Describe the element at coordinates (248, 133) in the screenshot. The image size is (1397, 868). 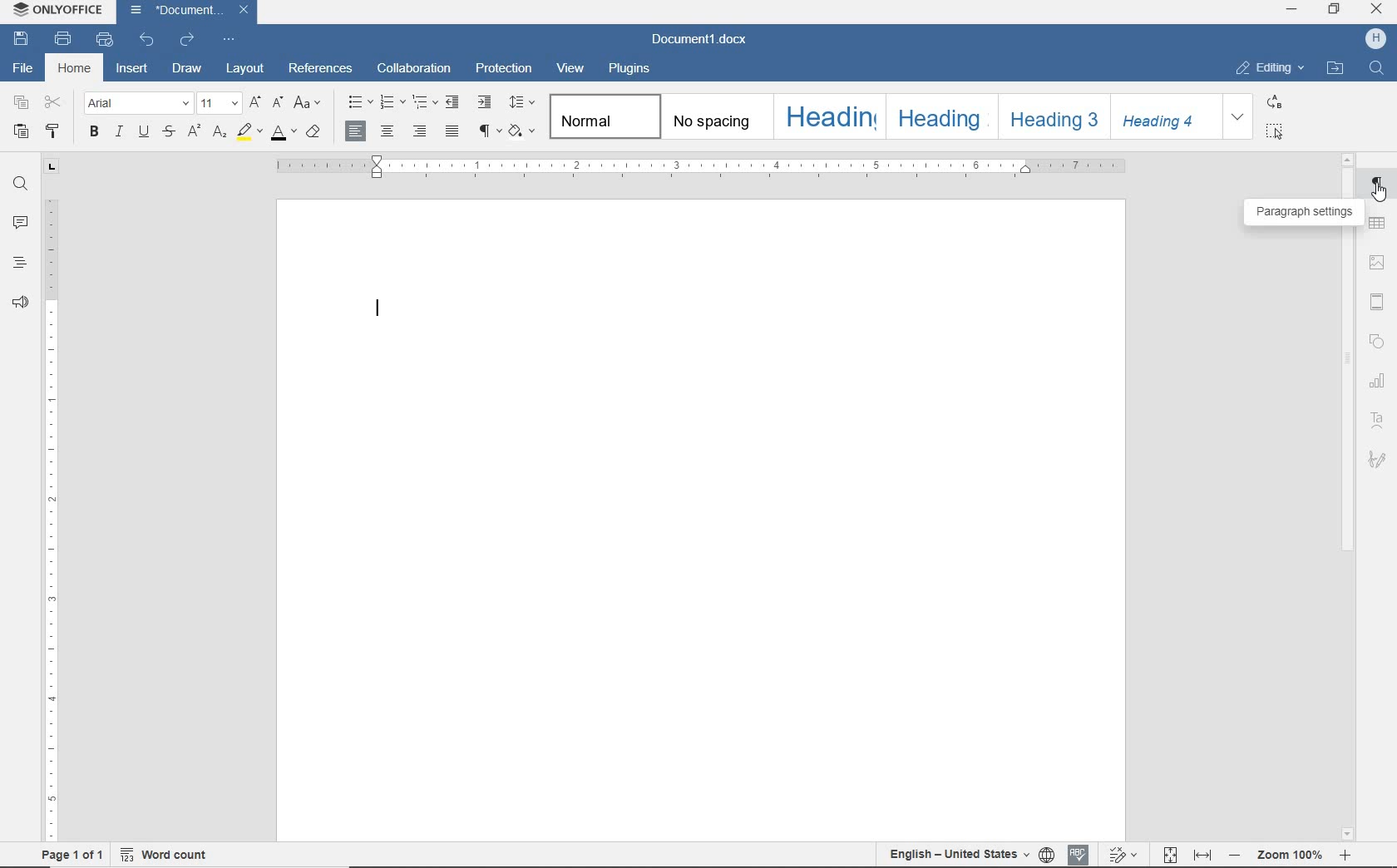
I see `highlight color` at that location.